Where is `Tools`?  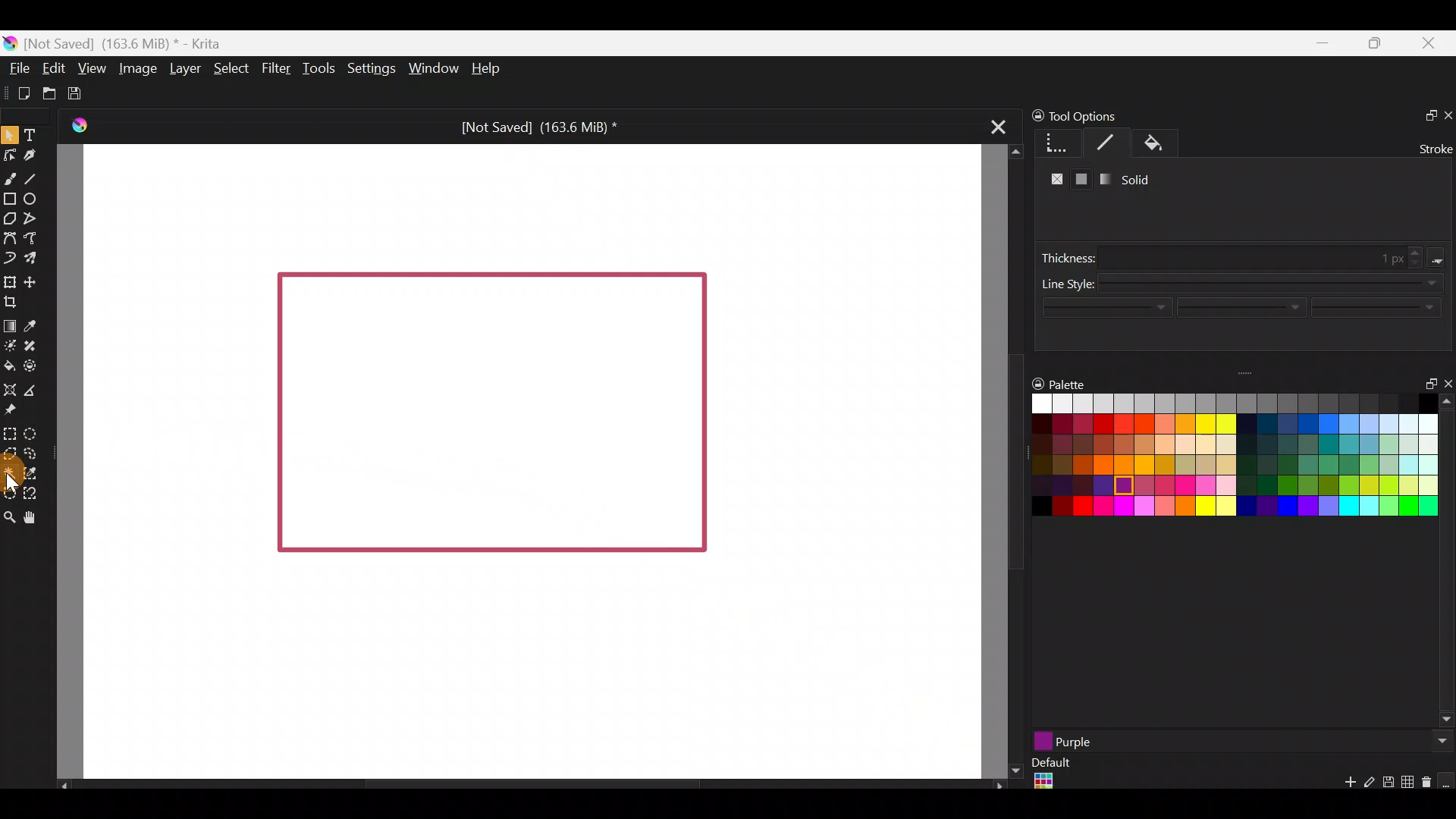 Tools is located at coordinates (315, 71).